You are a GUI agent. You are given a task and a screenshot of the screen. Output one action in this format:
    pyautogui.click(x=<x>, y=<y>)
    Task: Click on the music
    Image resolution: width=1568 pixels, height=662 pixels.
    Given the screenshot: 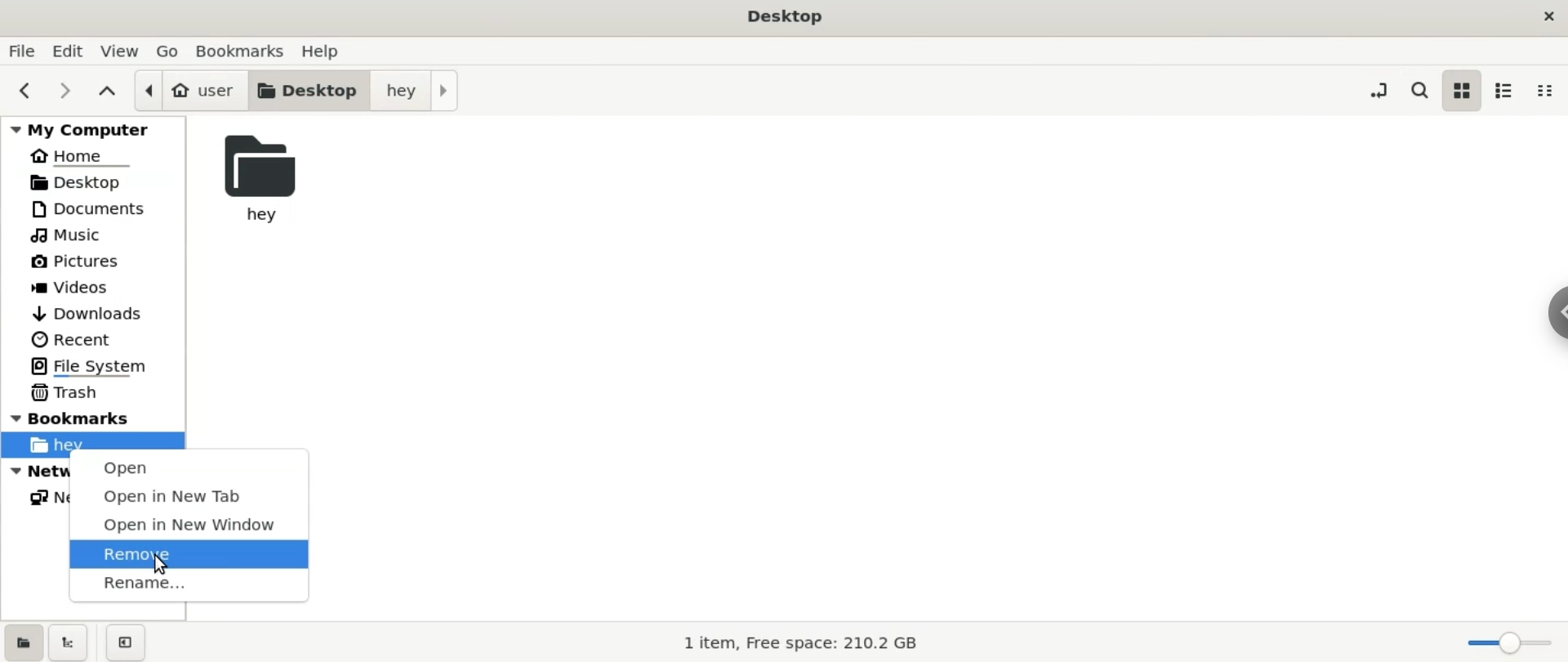 What is the action you would take?
    pyautogui.click(x=69, y=234)
    